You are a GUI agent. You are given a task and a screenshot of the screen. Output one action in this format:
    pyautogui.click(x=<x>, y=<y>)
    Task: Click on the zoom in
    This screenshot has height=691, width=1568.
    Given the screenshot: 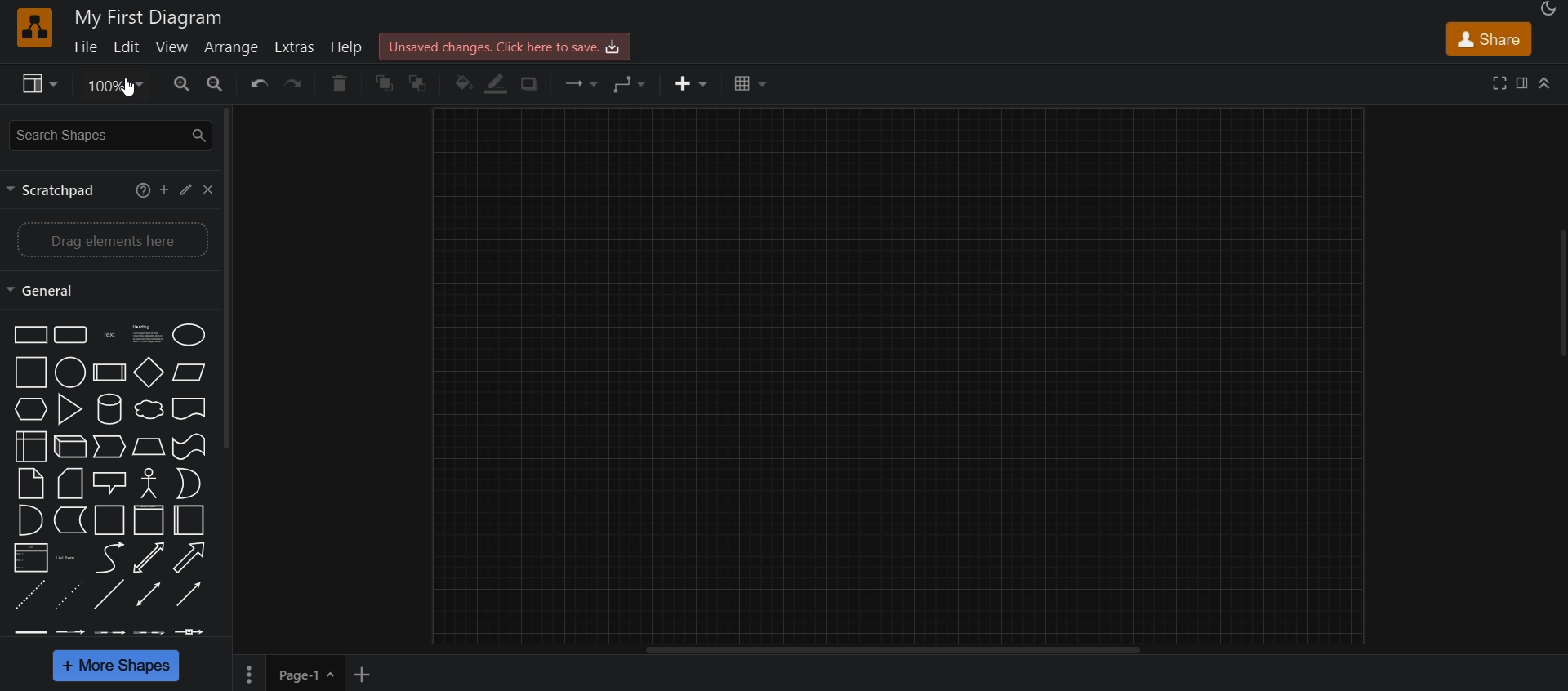 What is the action you would take?
    pyautogui.click(x=185, y=84)
    